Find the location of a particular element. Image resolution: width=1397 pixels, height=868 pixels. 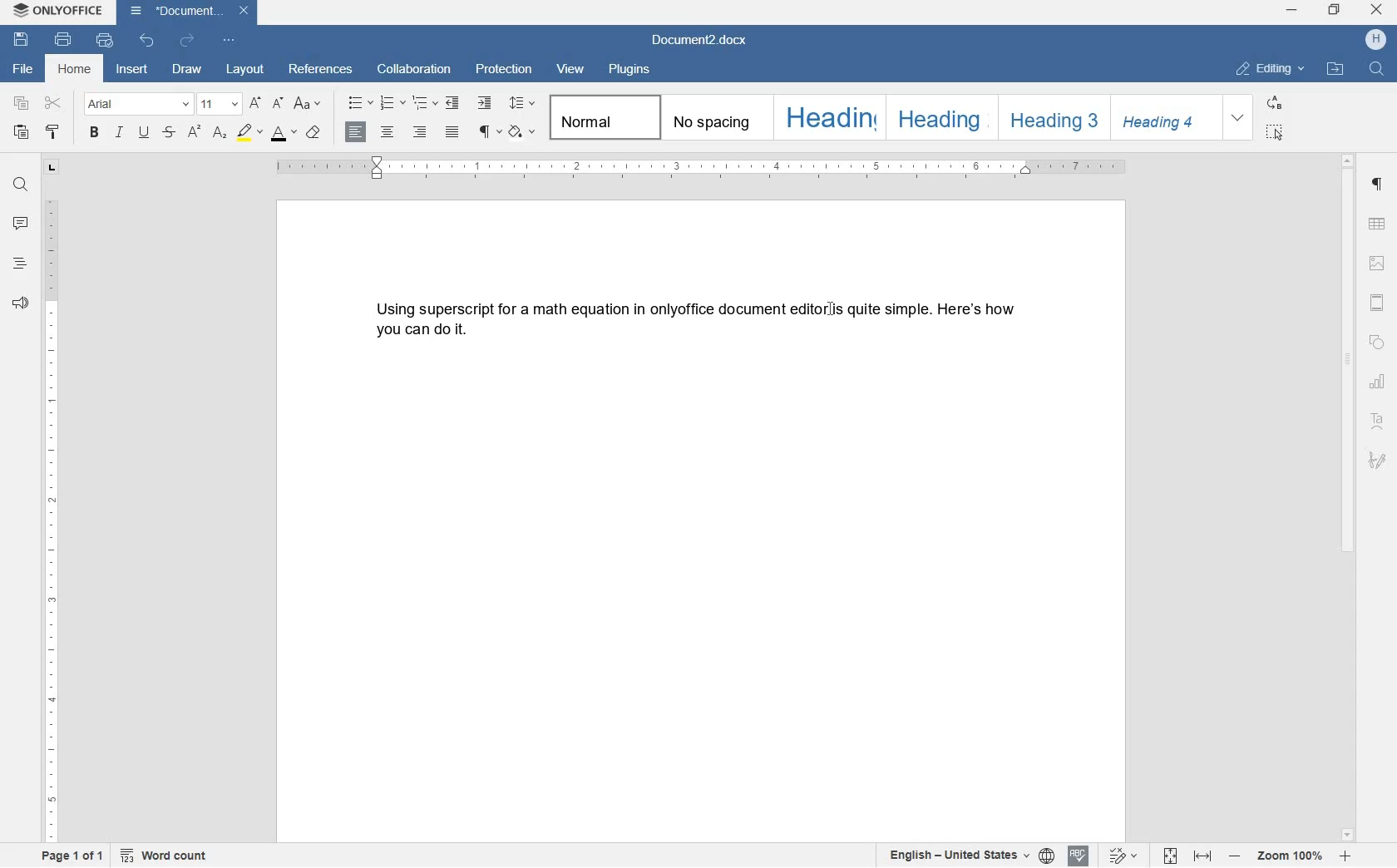

quick print is located at coordinates (103, 40).